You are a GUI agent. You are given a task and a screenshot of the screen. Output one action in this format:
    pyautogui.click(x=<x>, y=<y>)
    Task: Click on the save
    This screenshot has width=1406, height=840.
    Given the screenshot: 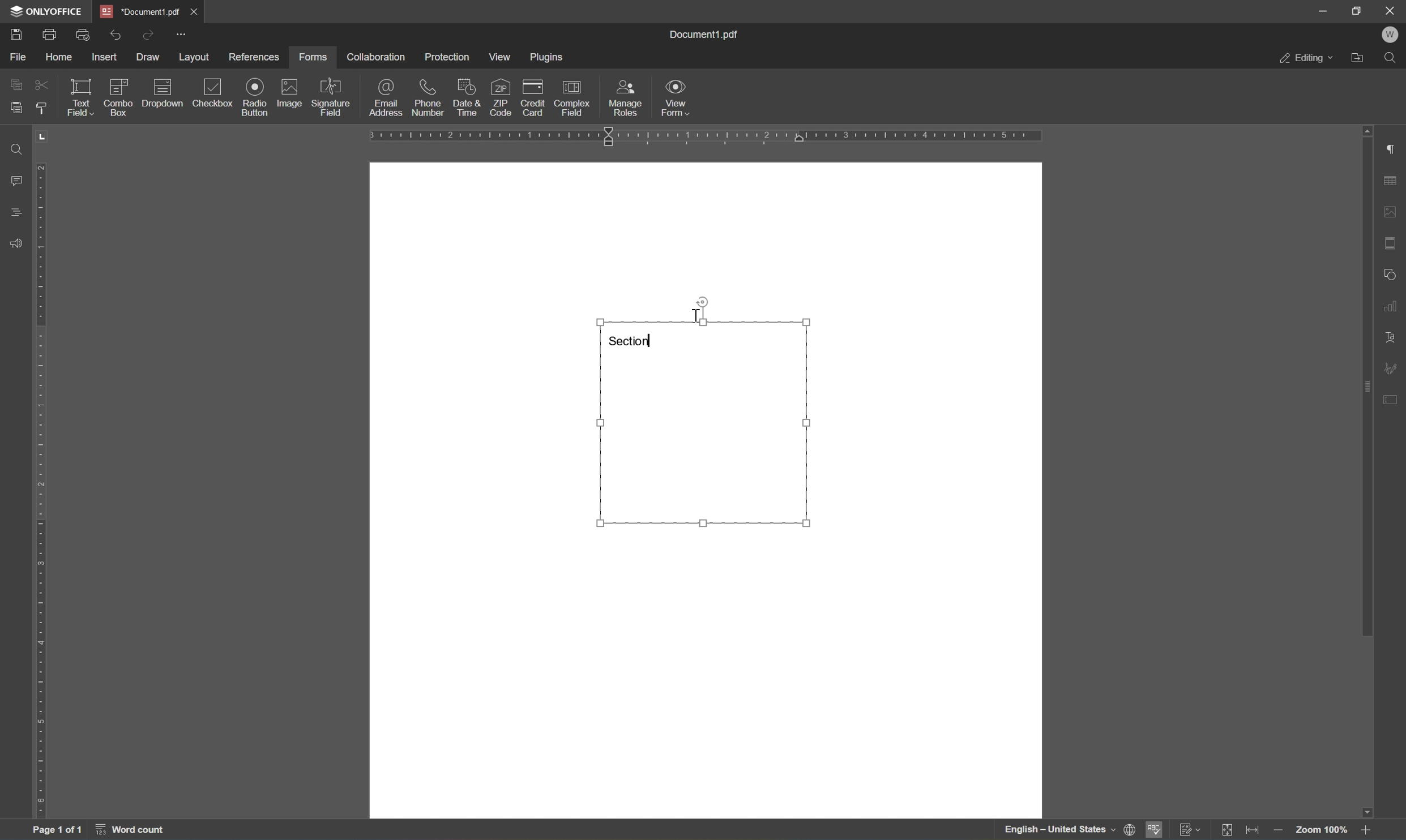 What is the action you would take?
    pyautogui.click(x=21, y=34)
    